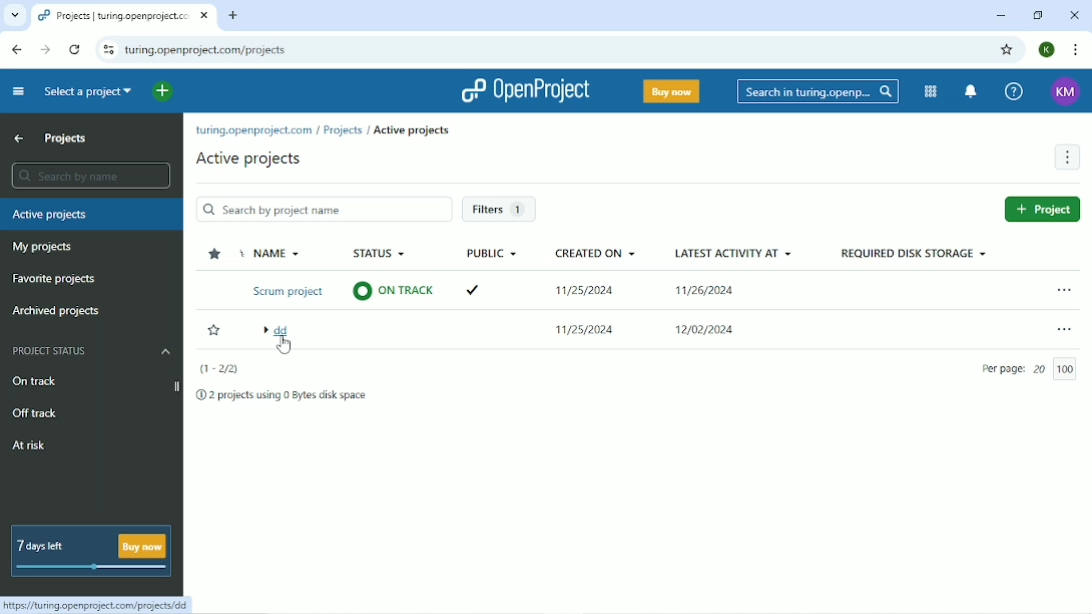 Image resolution: width=1092 pixels, height=614 pixels. I want to click on Buy now, so click(670, 91).